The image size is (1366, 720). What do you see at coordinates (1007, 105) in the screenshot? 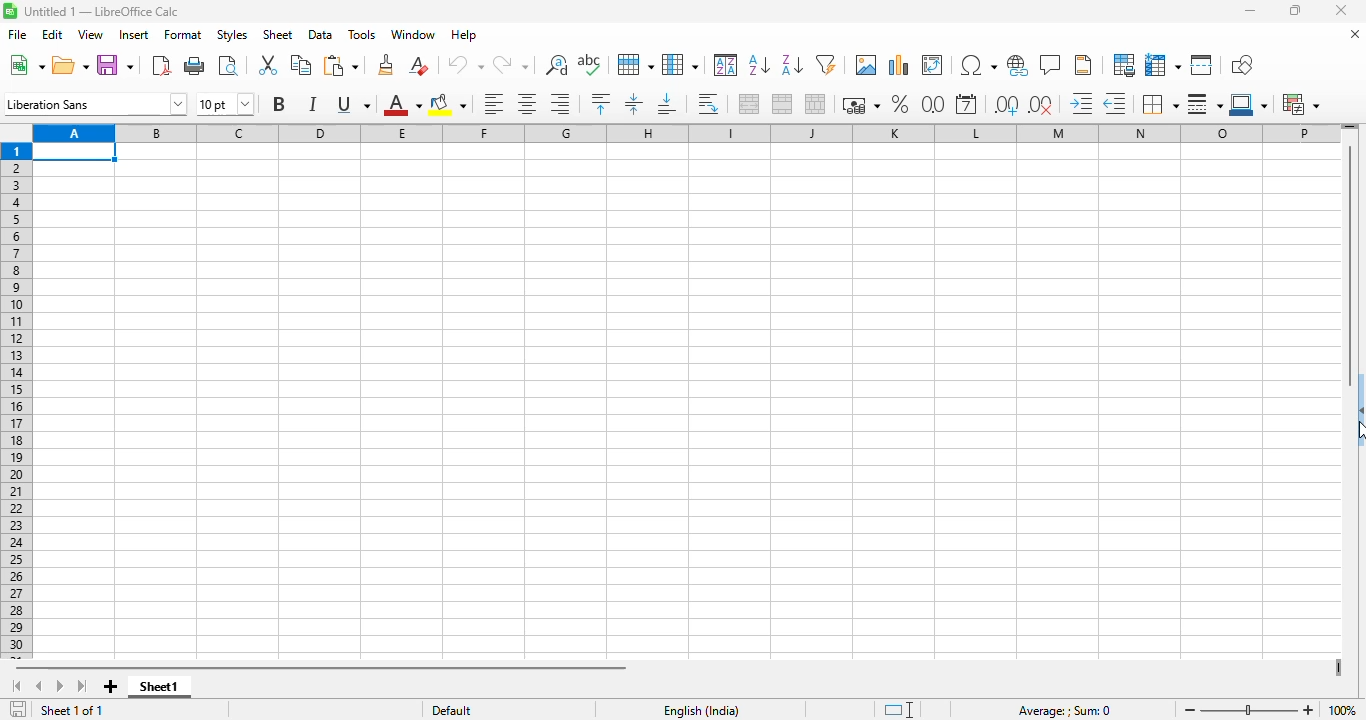
I see `add decimal` at bounding box center [1007, 105].